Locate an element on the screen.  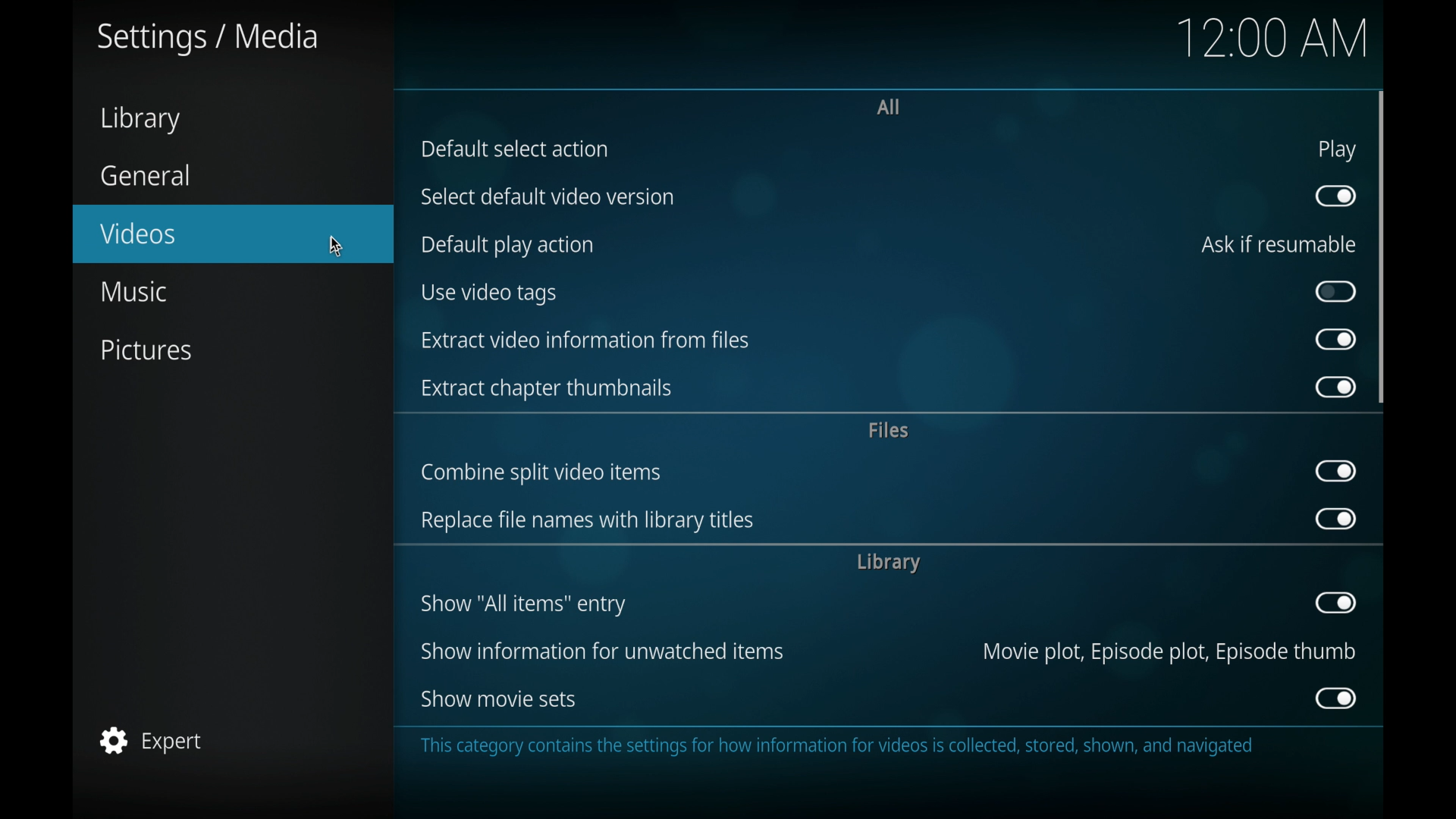
ask if resumable is located at coordinates (1279, 245).